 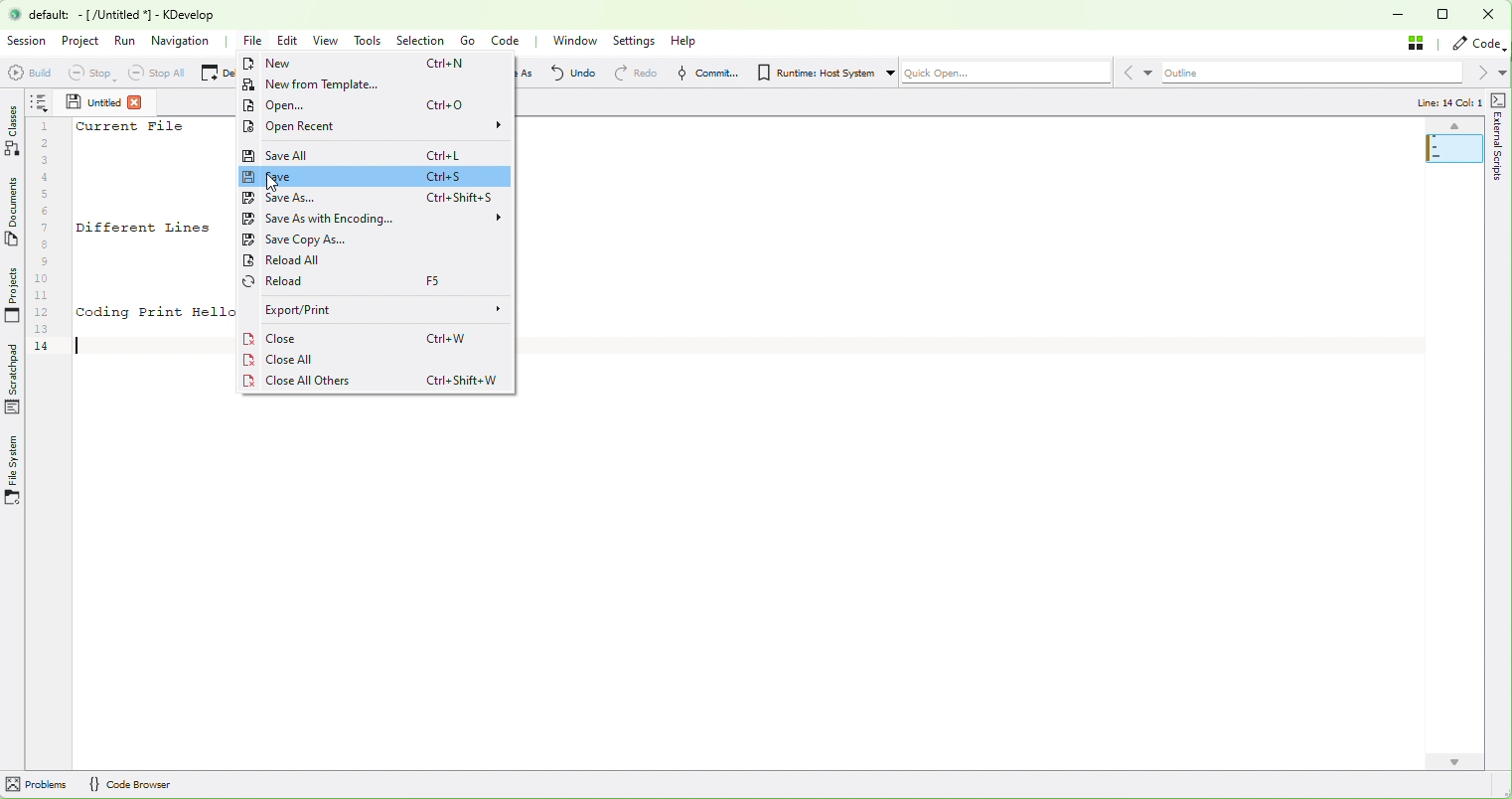 What do you see at coordinates (76, 343) in the screenshot?
I see `typing cursor` at bounding box center [76, 343].